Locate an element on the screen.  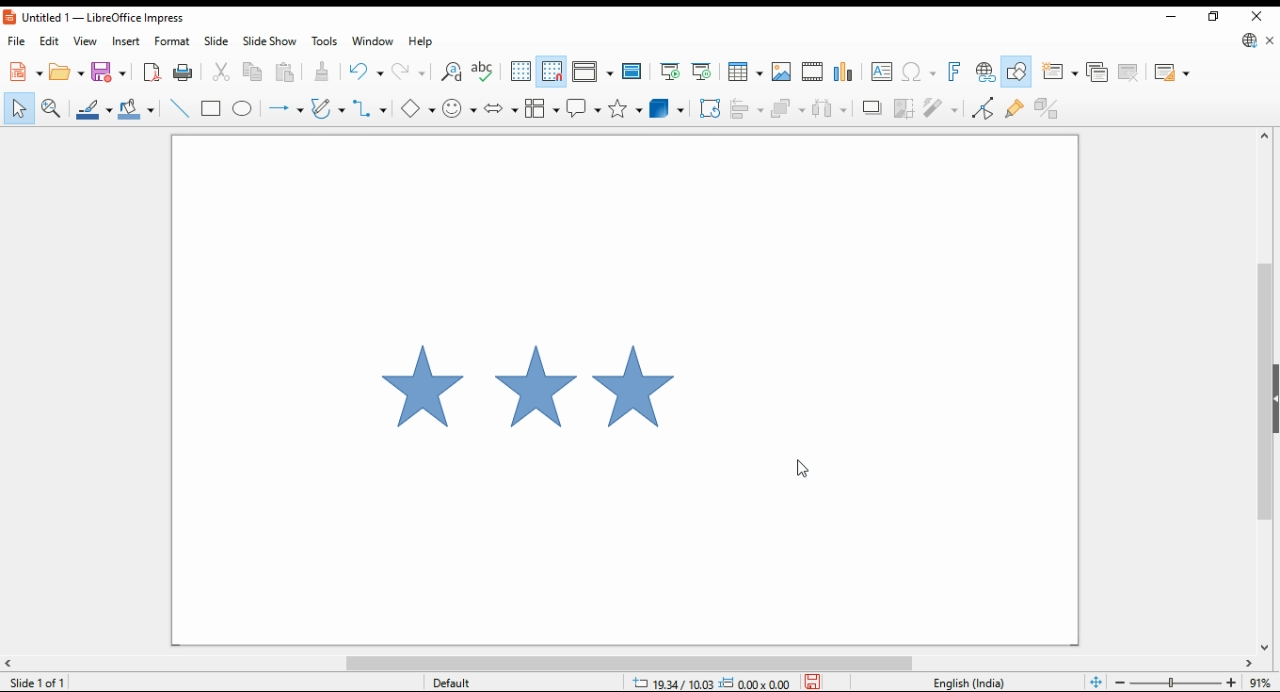
delete slide is located at coordinates (1130, 73).